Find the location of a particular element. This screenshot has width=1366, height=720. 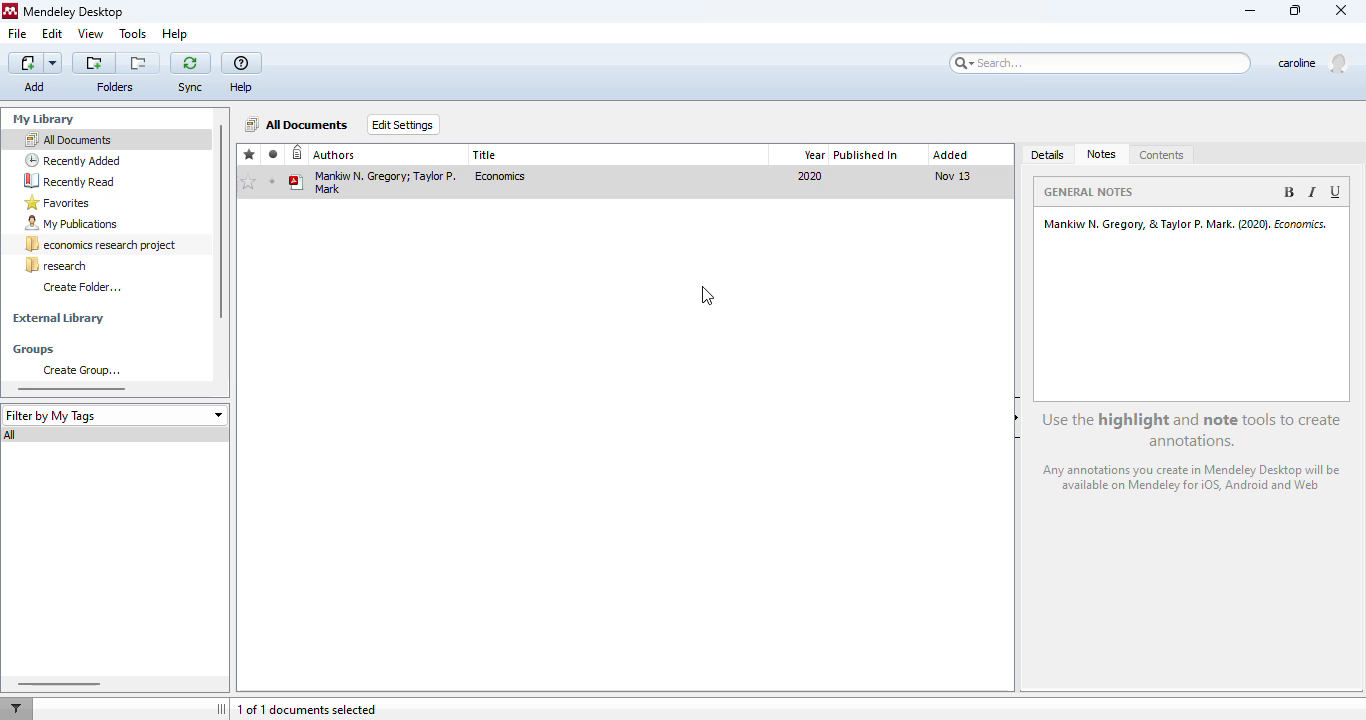

folder is located at coordinates (114, 87).